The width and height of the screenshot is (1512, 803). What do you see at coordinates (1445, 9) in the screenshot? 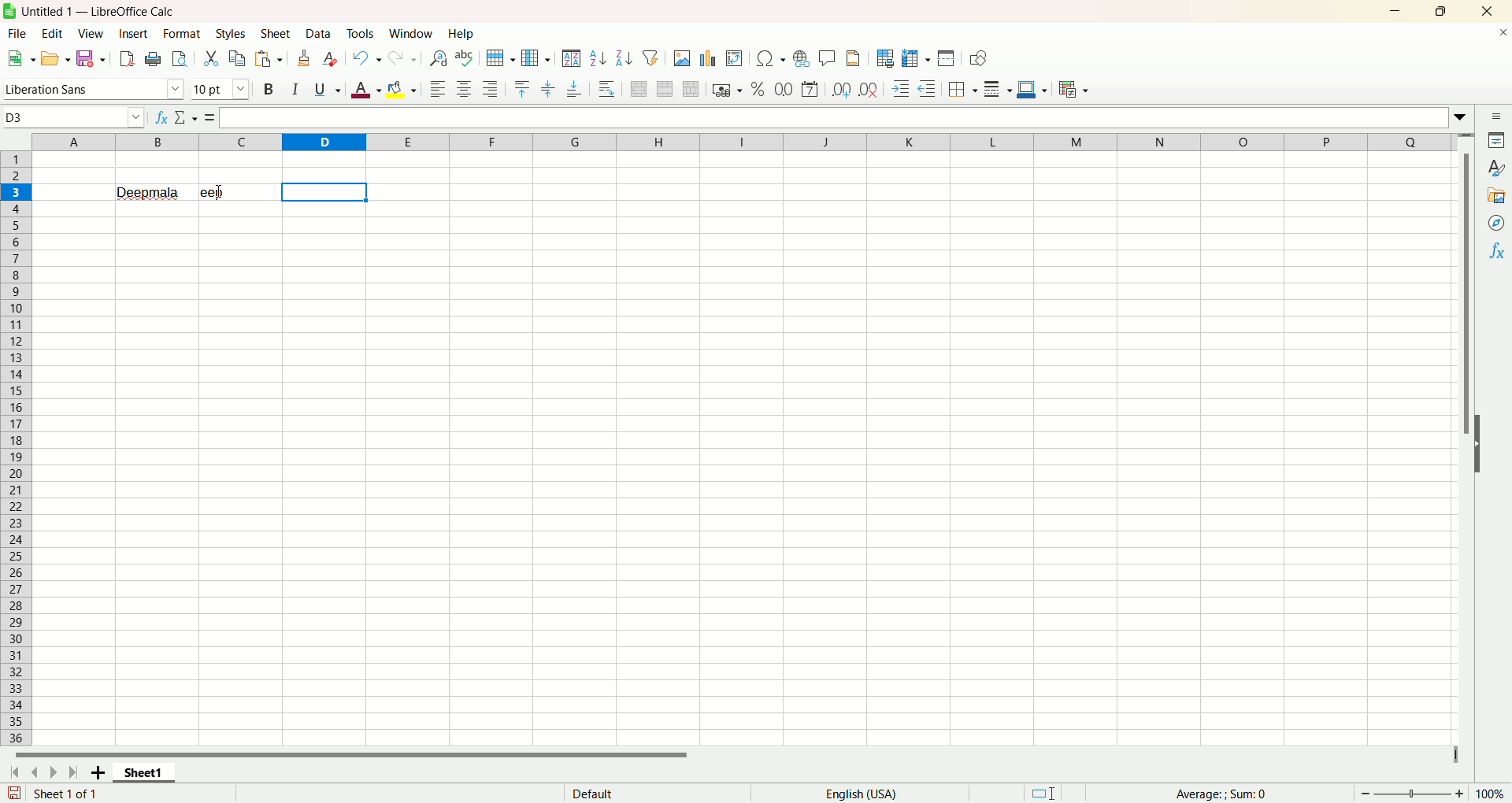
I see `Maximize` at bounding box center [1445, 9].